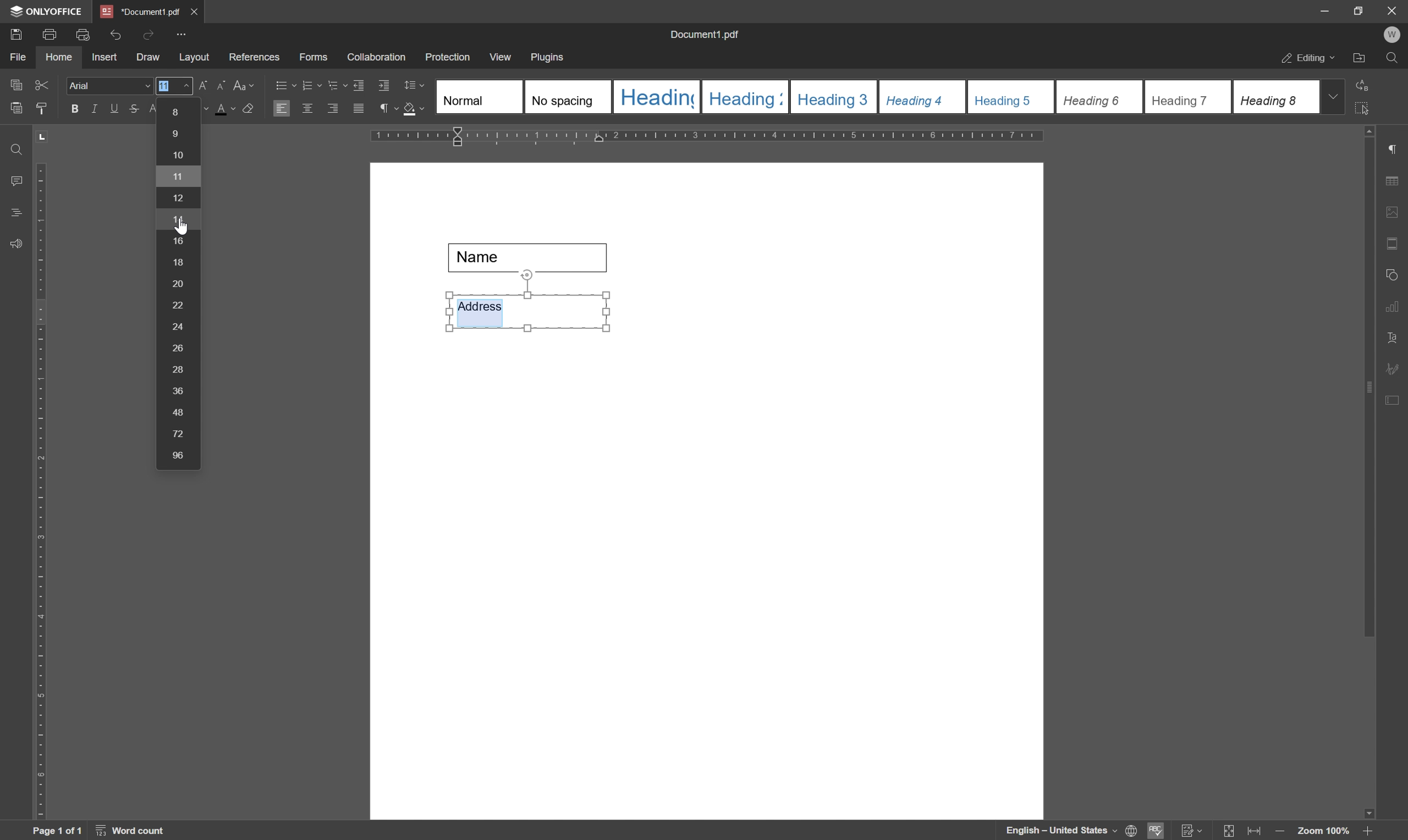 This screenshot has height=840, width=1408. What do you see at coordinates (1228, 831) in the screenshot?
I see `fit to slide` at bounding box center [1228, 831].